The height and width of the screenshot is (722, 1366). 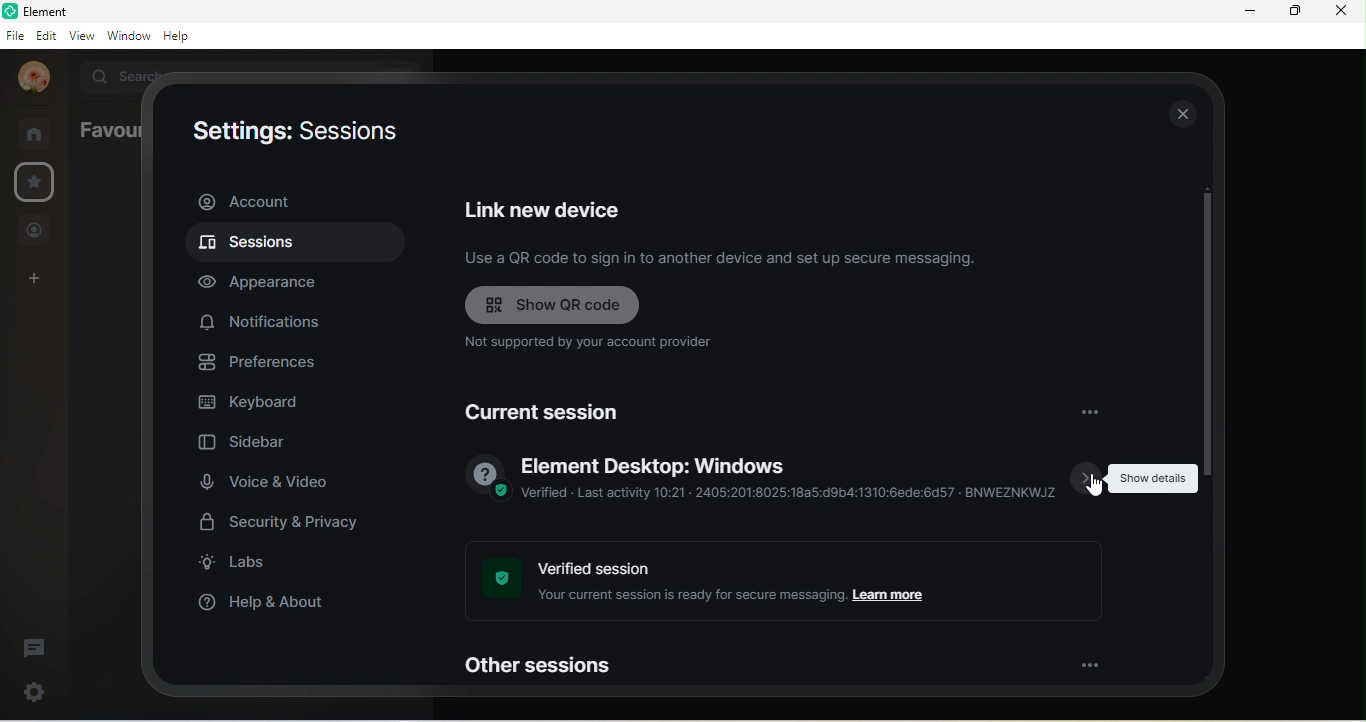 I want to click on settings, so click(x=31, y=691).